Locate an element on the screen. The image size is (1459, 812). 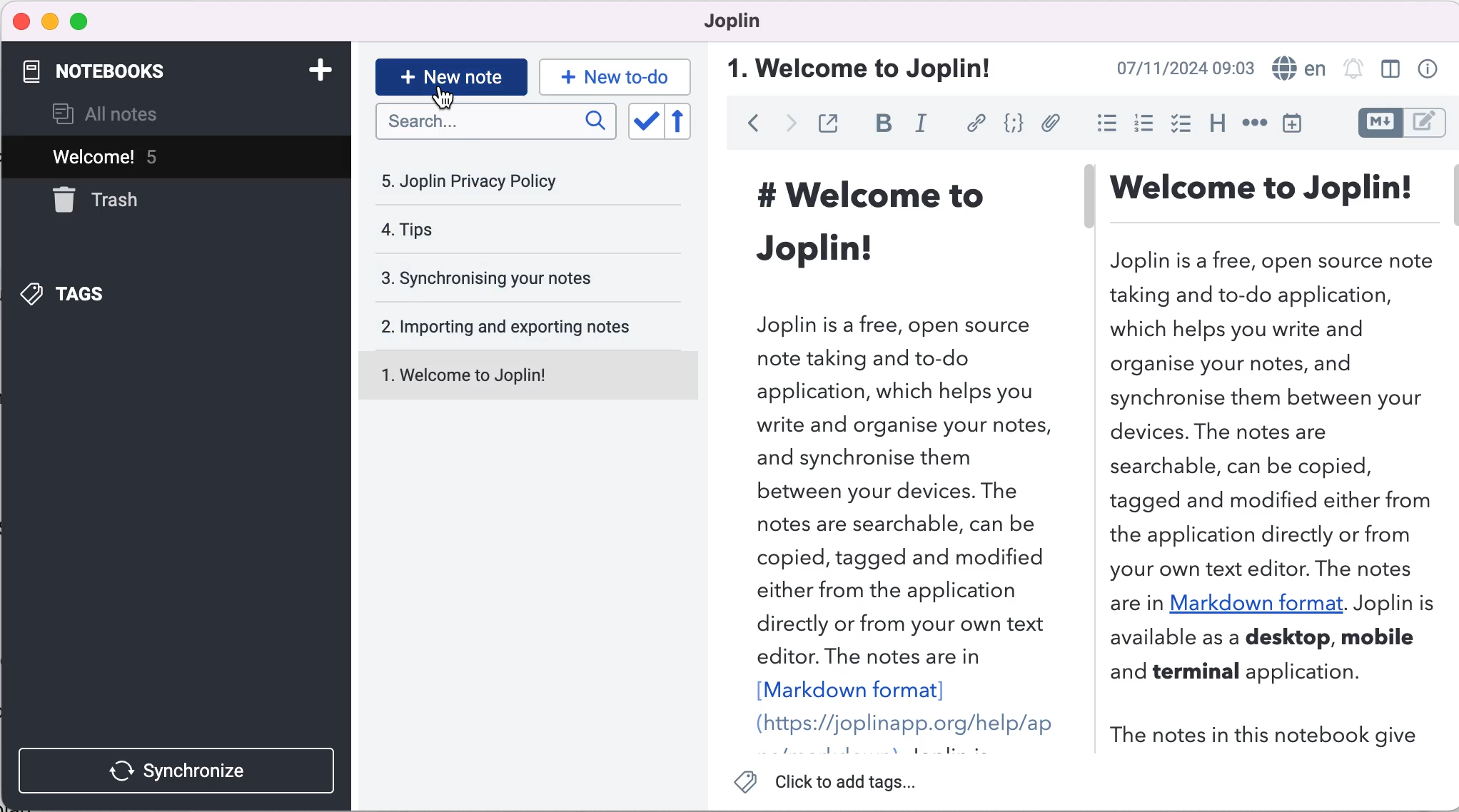
bulleted list is located at coordinates (1101, 122).